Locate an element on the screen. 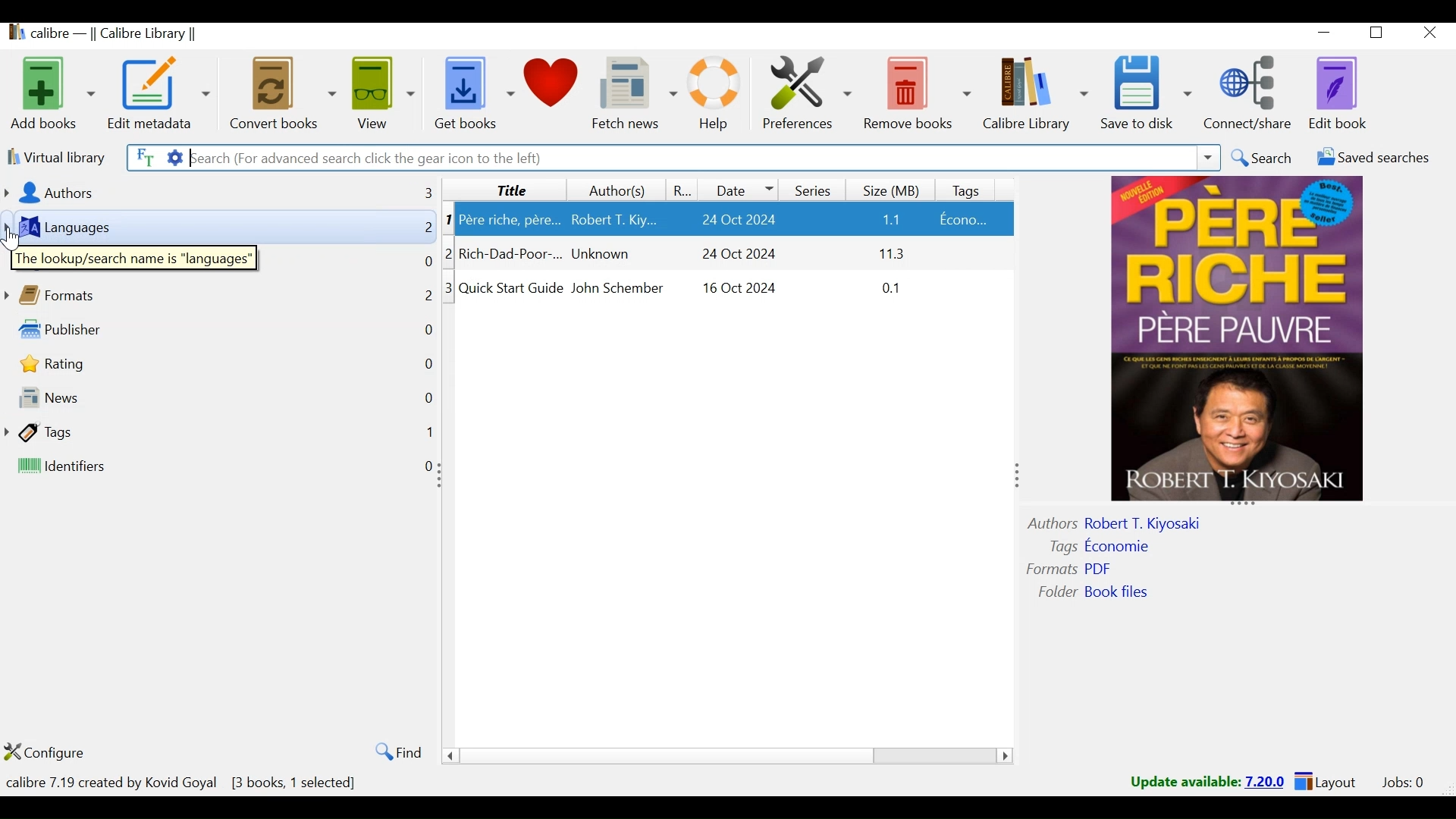  Remove books is located at coordinates (918, 93).